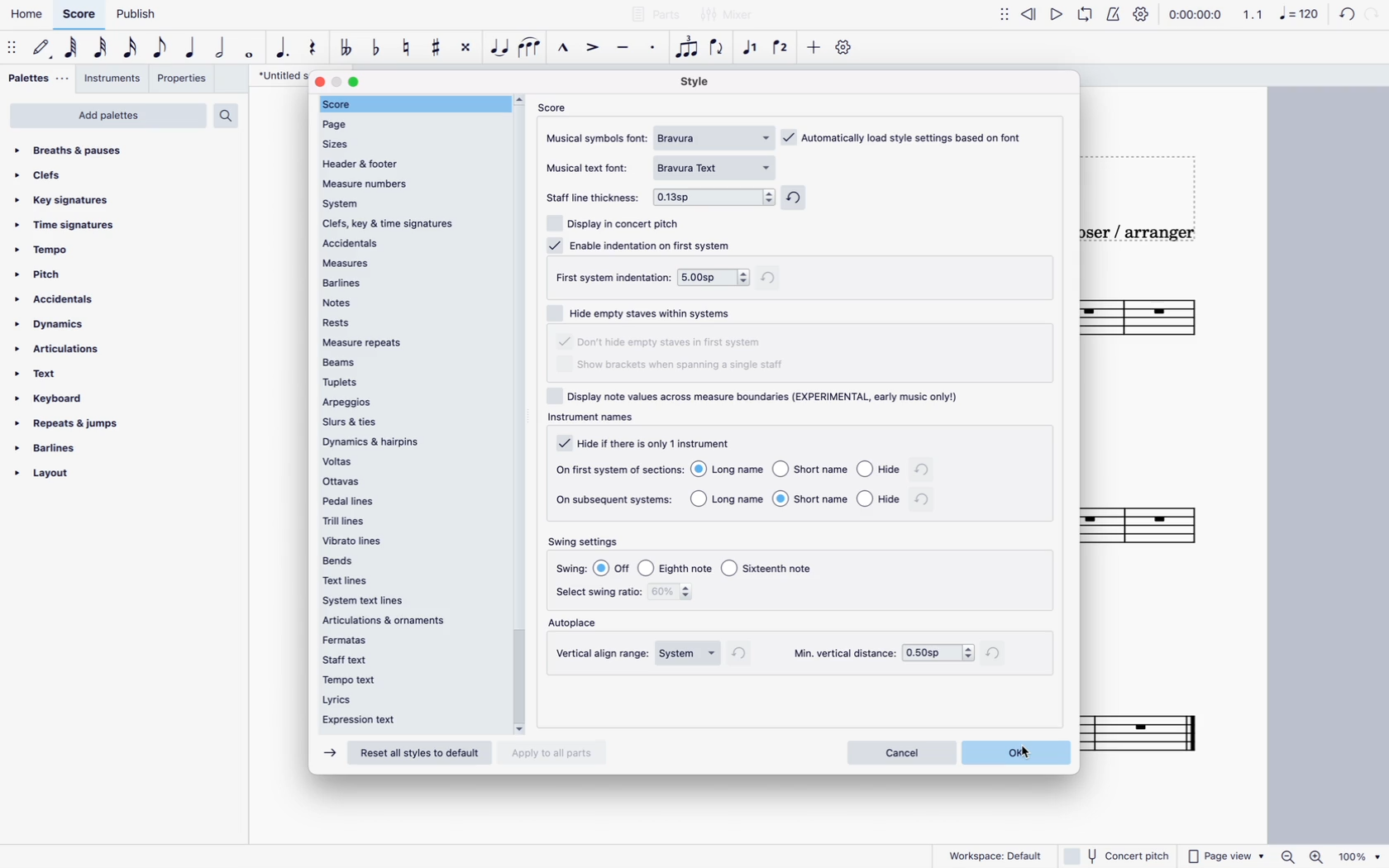  I want to click on time signatures, so click(70, 225).